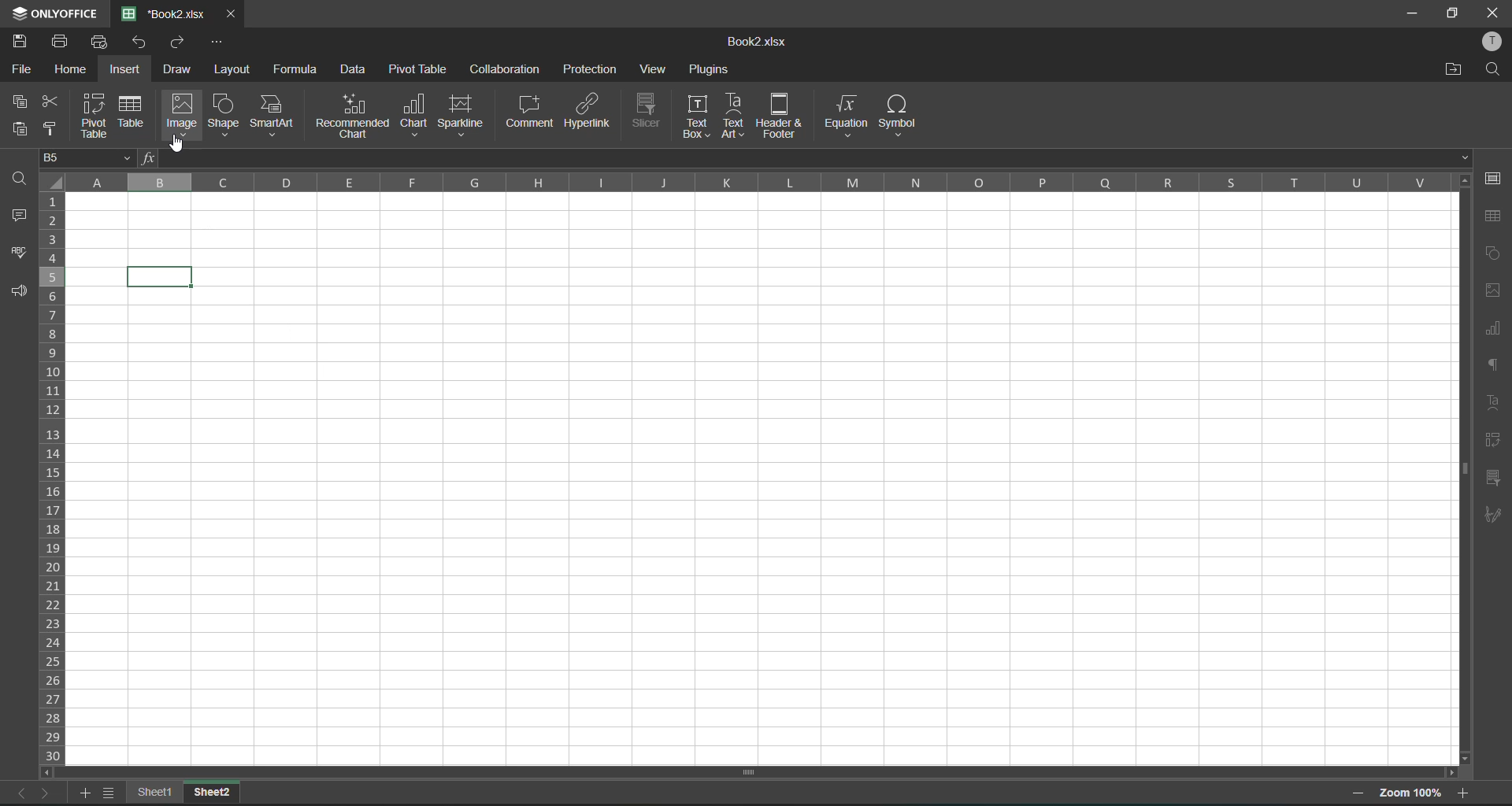  What do you see at coordinates (213, 790) in the screenshot?
I see `sheet2` at bounding box center [213, 790].